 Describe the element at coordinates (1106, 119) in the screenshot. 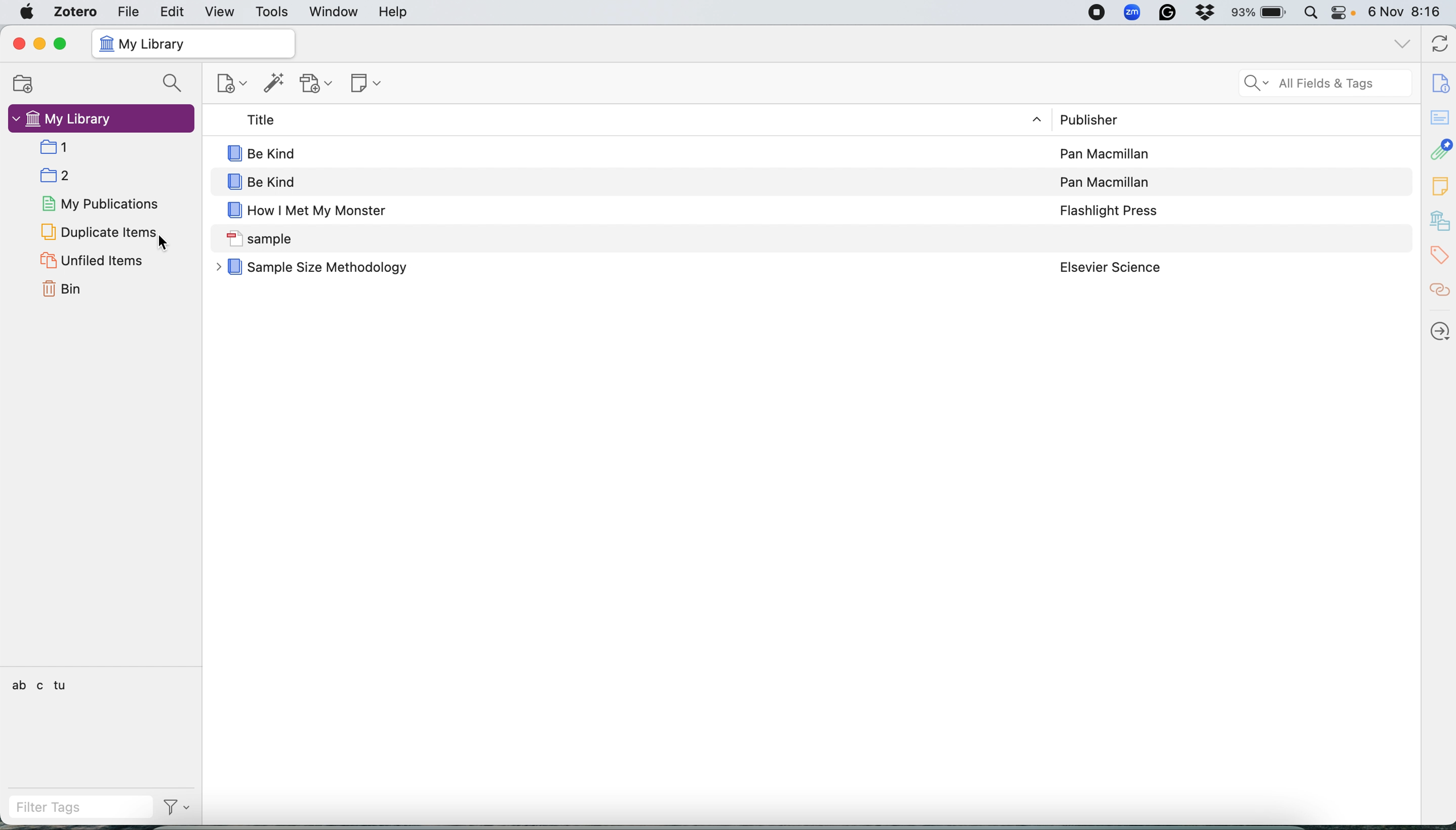

I see `publisher` at that location.